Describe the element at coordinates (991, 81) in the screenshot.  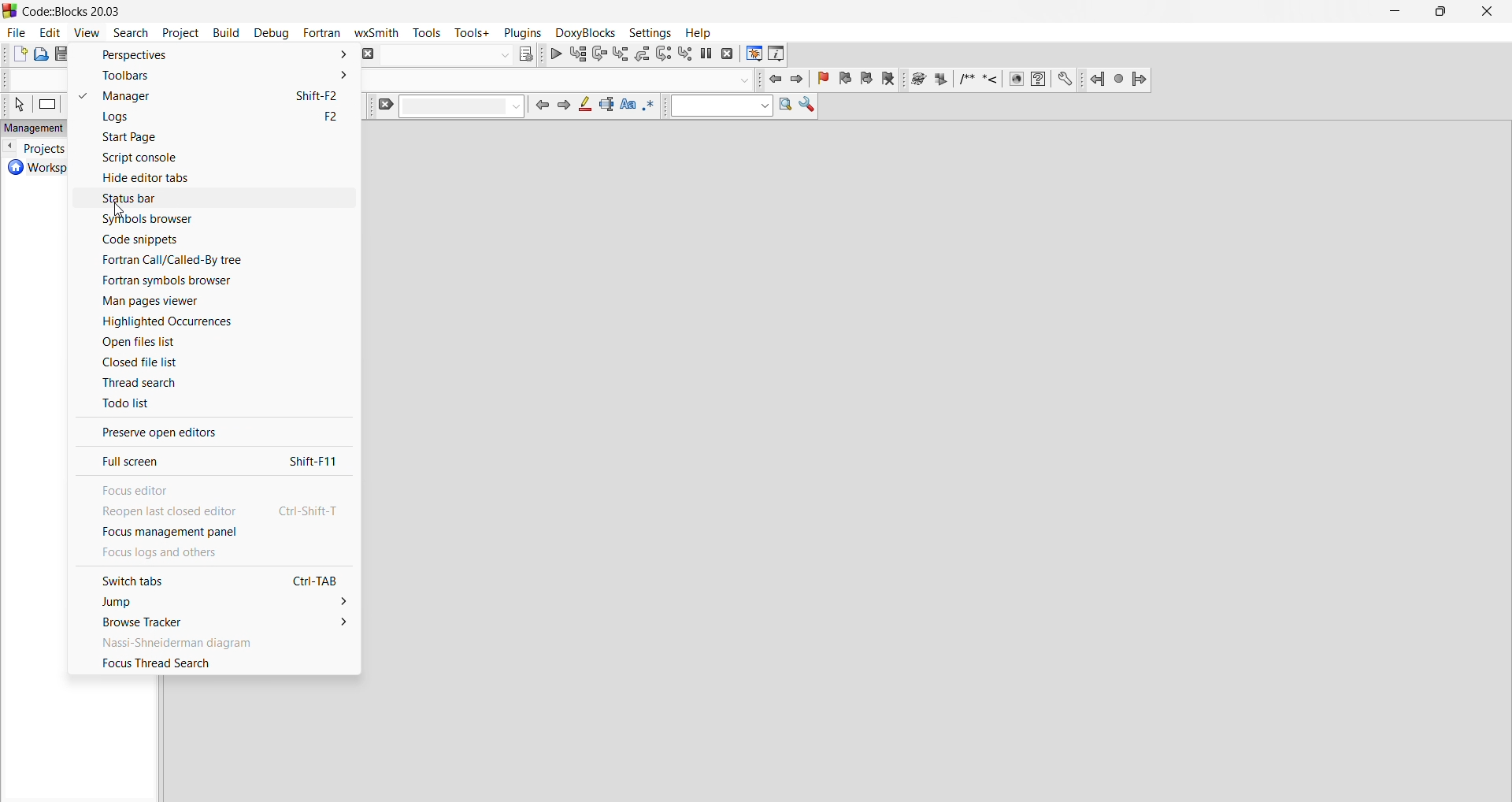
I see `Insert line` at that location.